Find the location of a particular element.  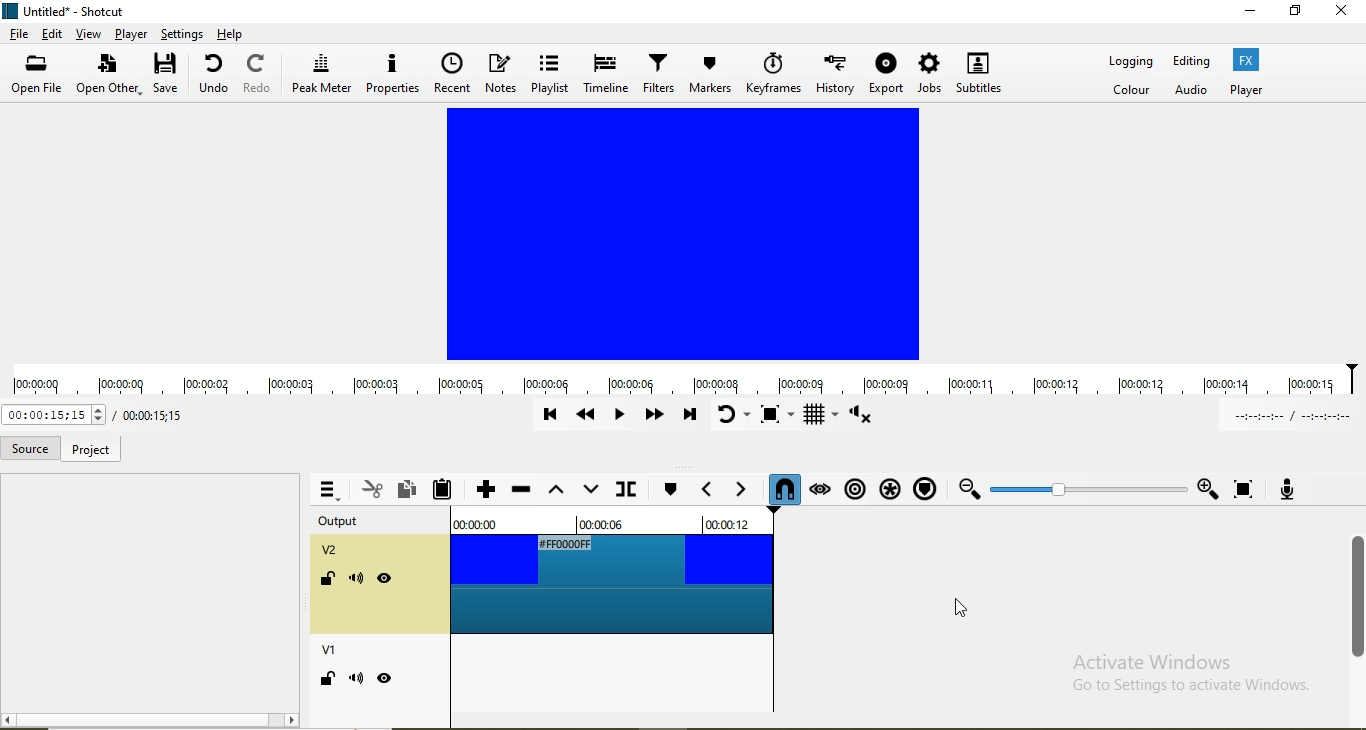

output is located at coordinates (349, 523).